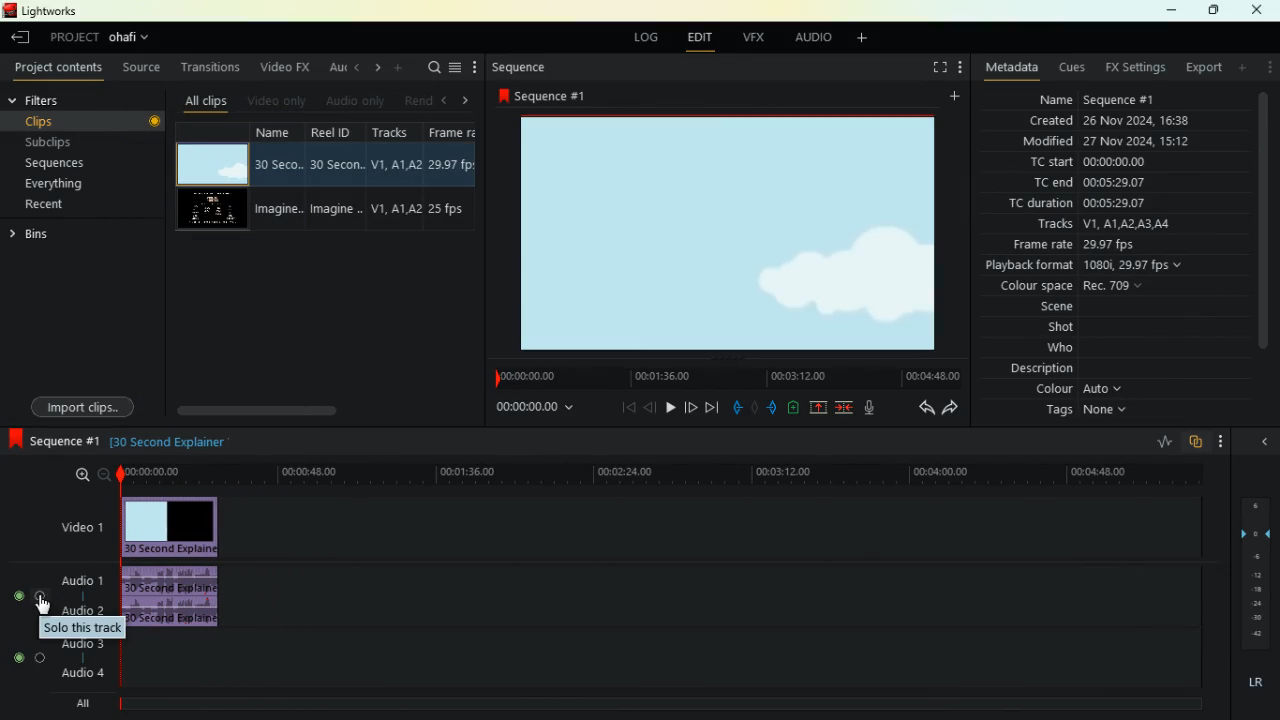 The image size is (1280, 720). Describe the element at coordinates (658, 476) in the screenshot. I see `timeline` at that location.